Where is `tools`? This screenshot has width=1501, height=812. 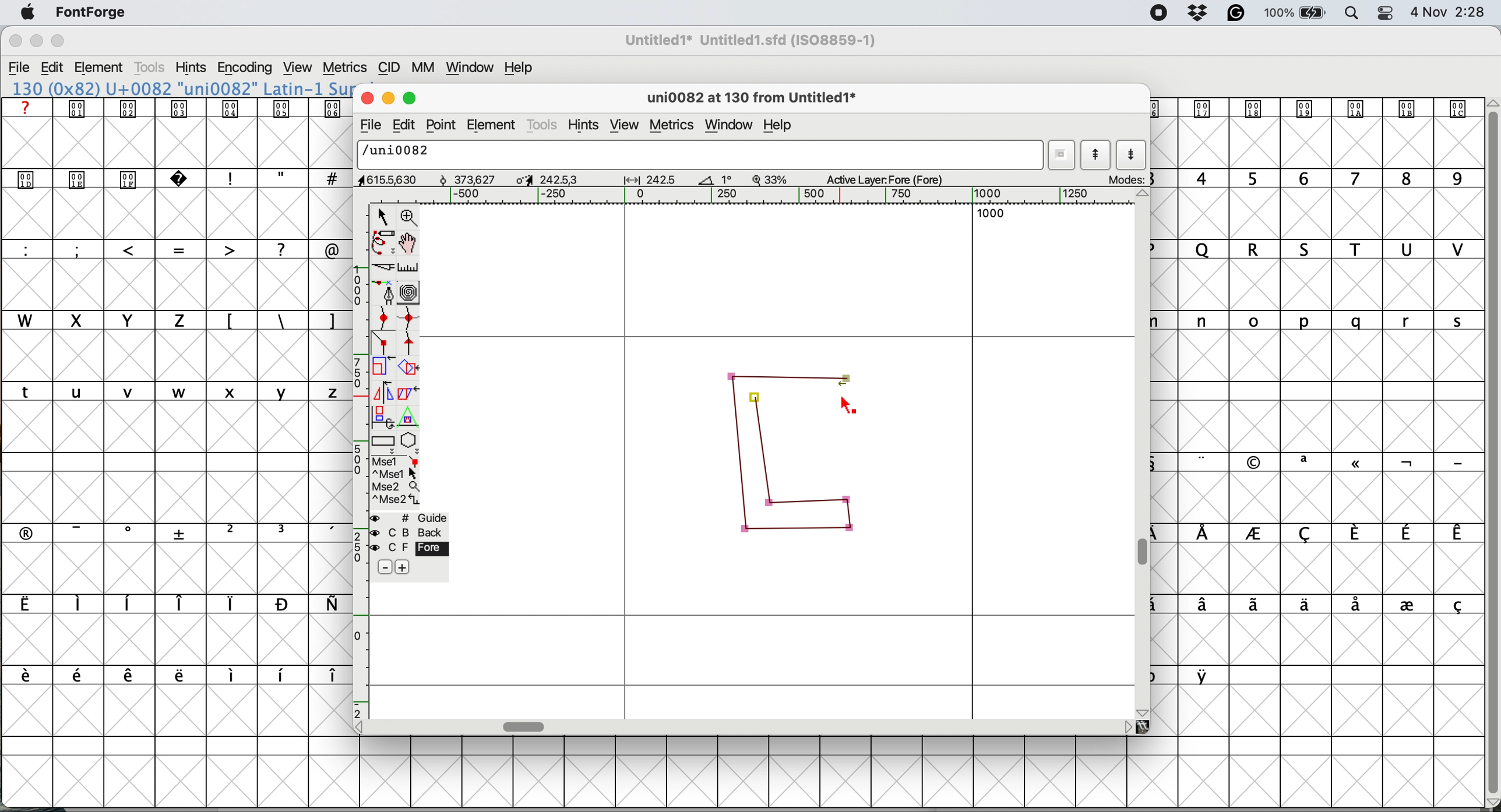 tools is located at coordinates (152, 68).